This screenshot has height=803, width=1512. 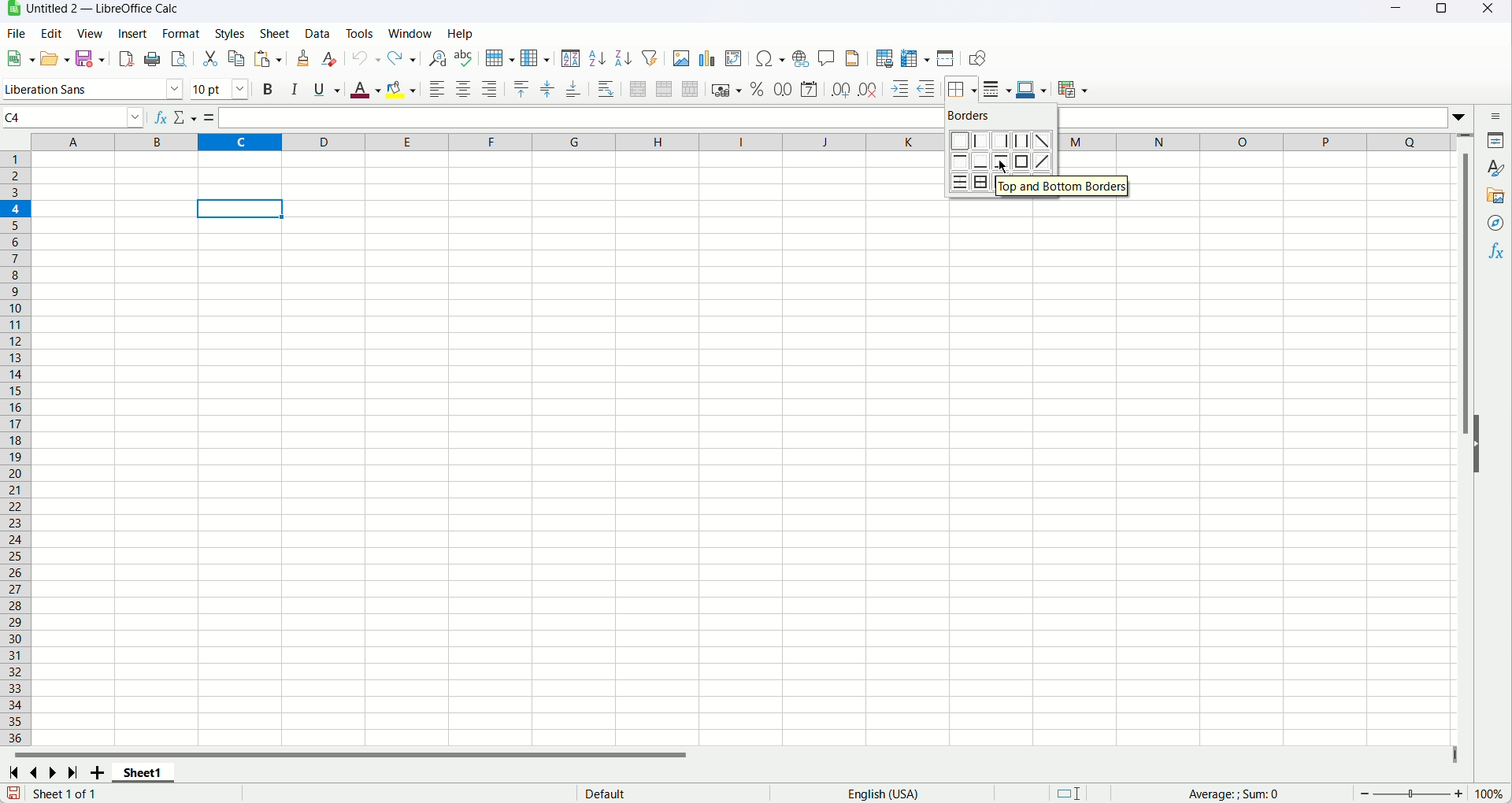 I want to click on Show draw functions, so click(x=980, y=58).